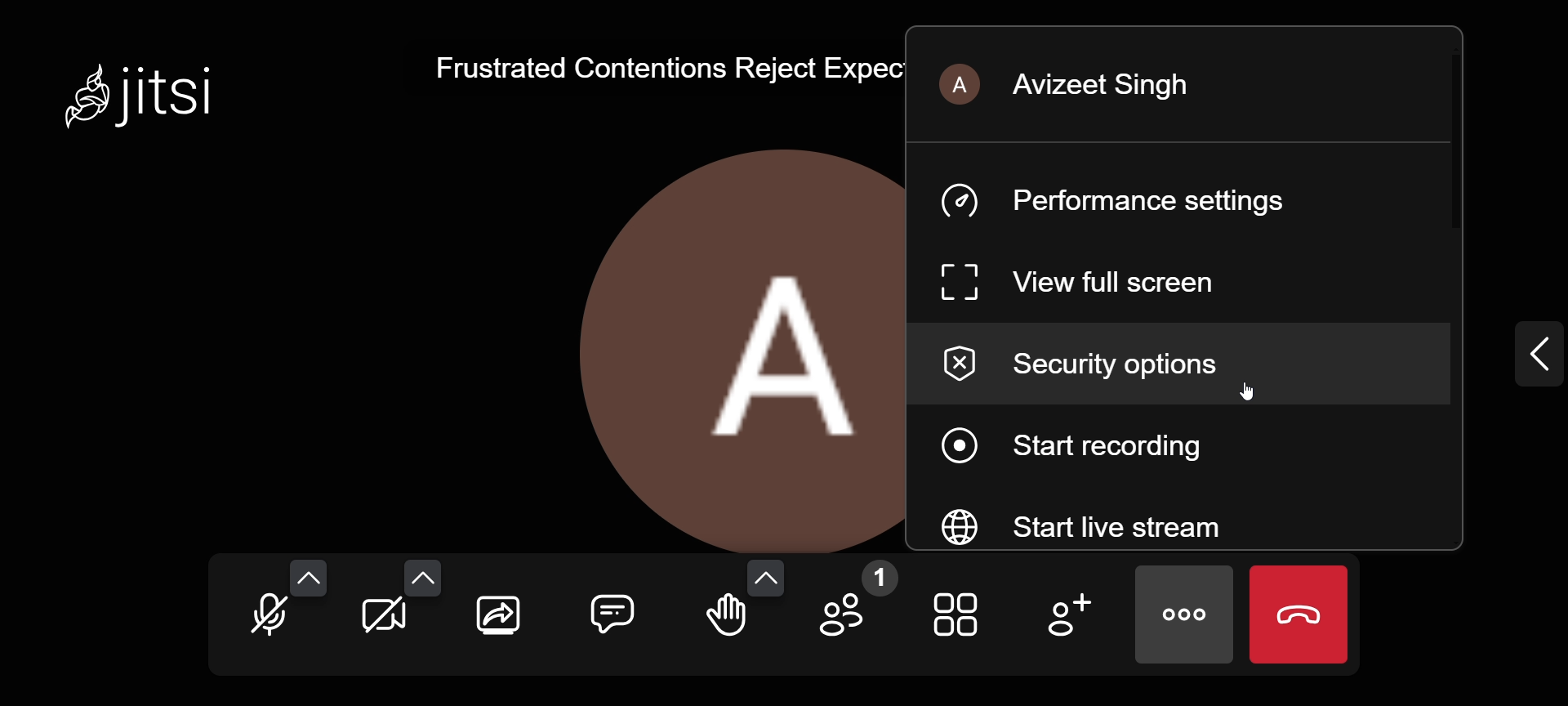 Image resolution: width=1568 pixels, height=706 pixels. What do you see at coordinates (611, 613) in the screenshot?
I see `chat` at bounding box center [611, 613].